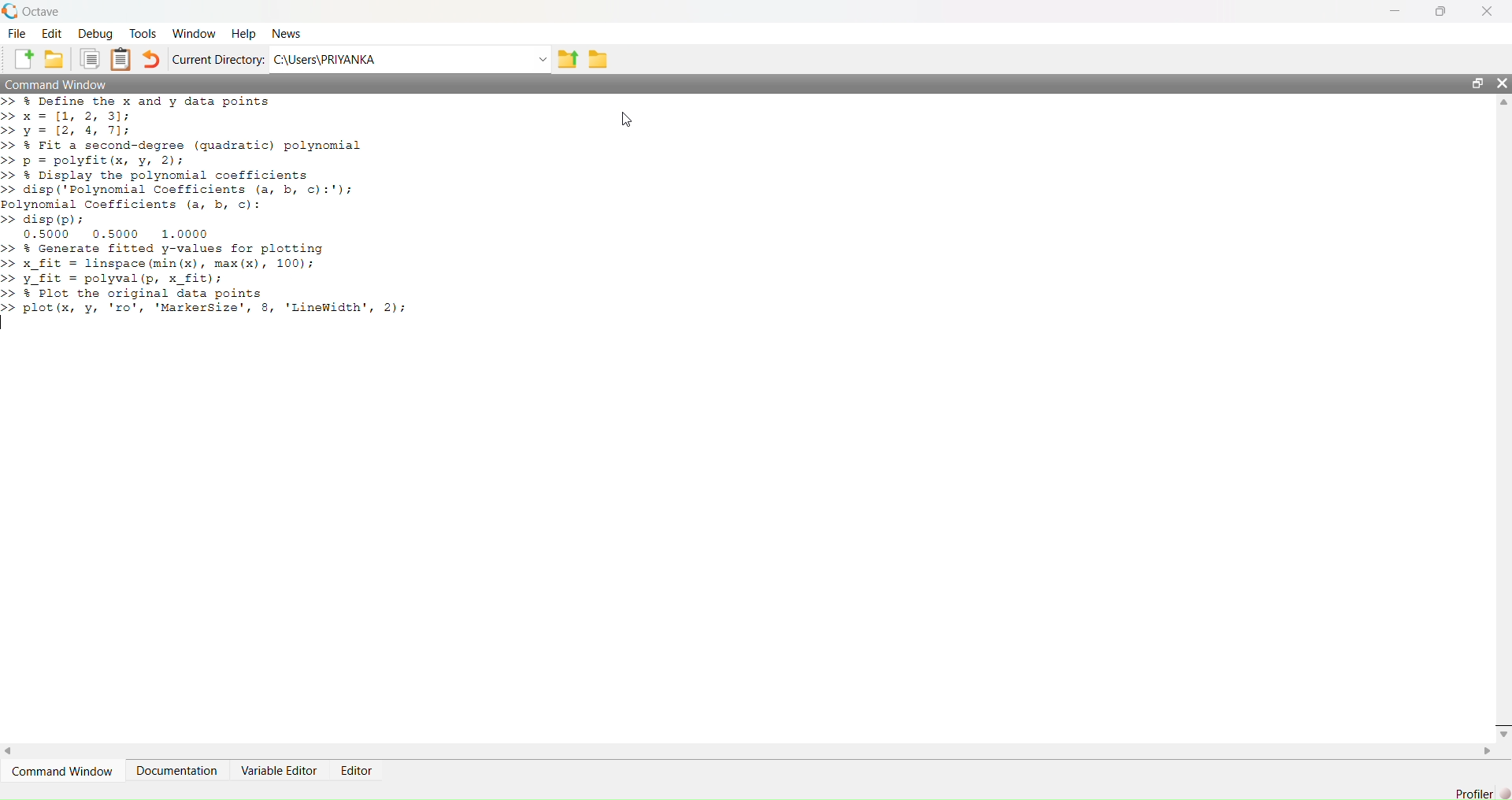 The image size is (1512, 800). I want to click on News, so click(291, 33).